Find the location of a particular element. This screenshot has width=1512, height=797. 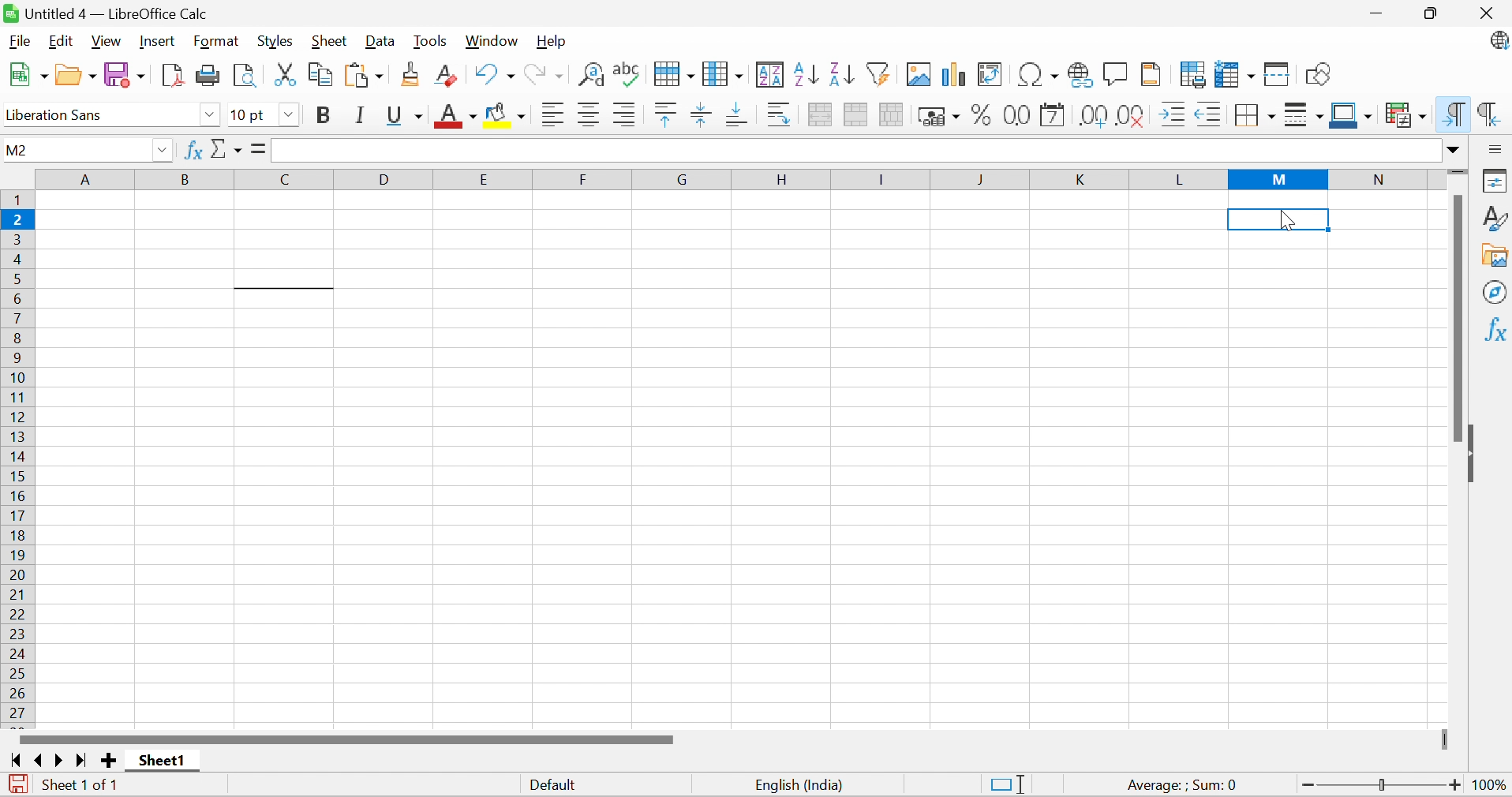

Increase indent is located at coordinates (1173, 114).